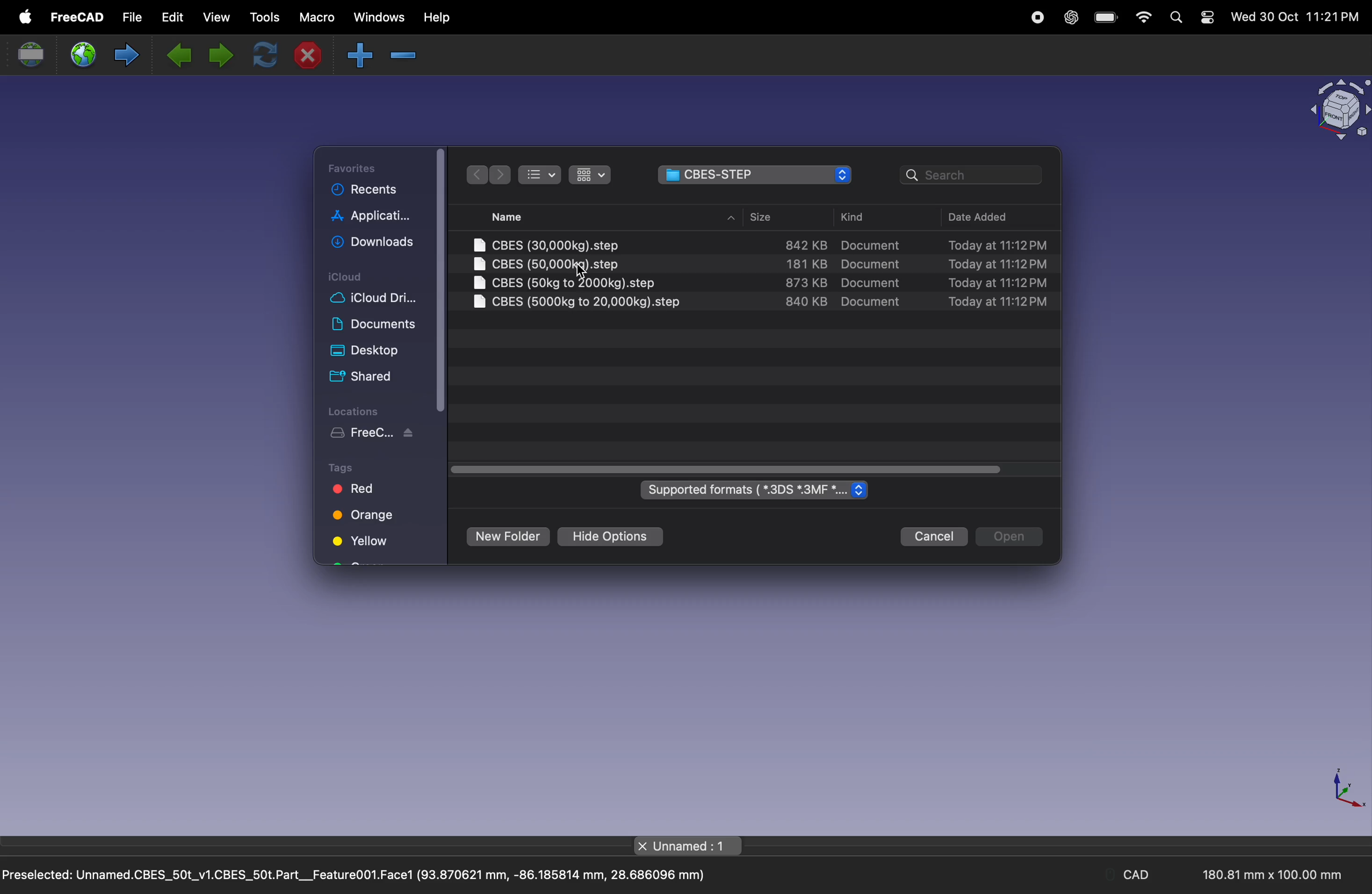  Describe the element at coordinates (1207, 18) in the screenshot. I see `settings` at that location.